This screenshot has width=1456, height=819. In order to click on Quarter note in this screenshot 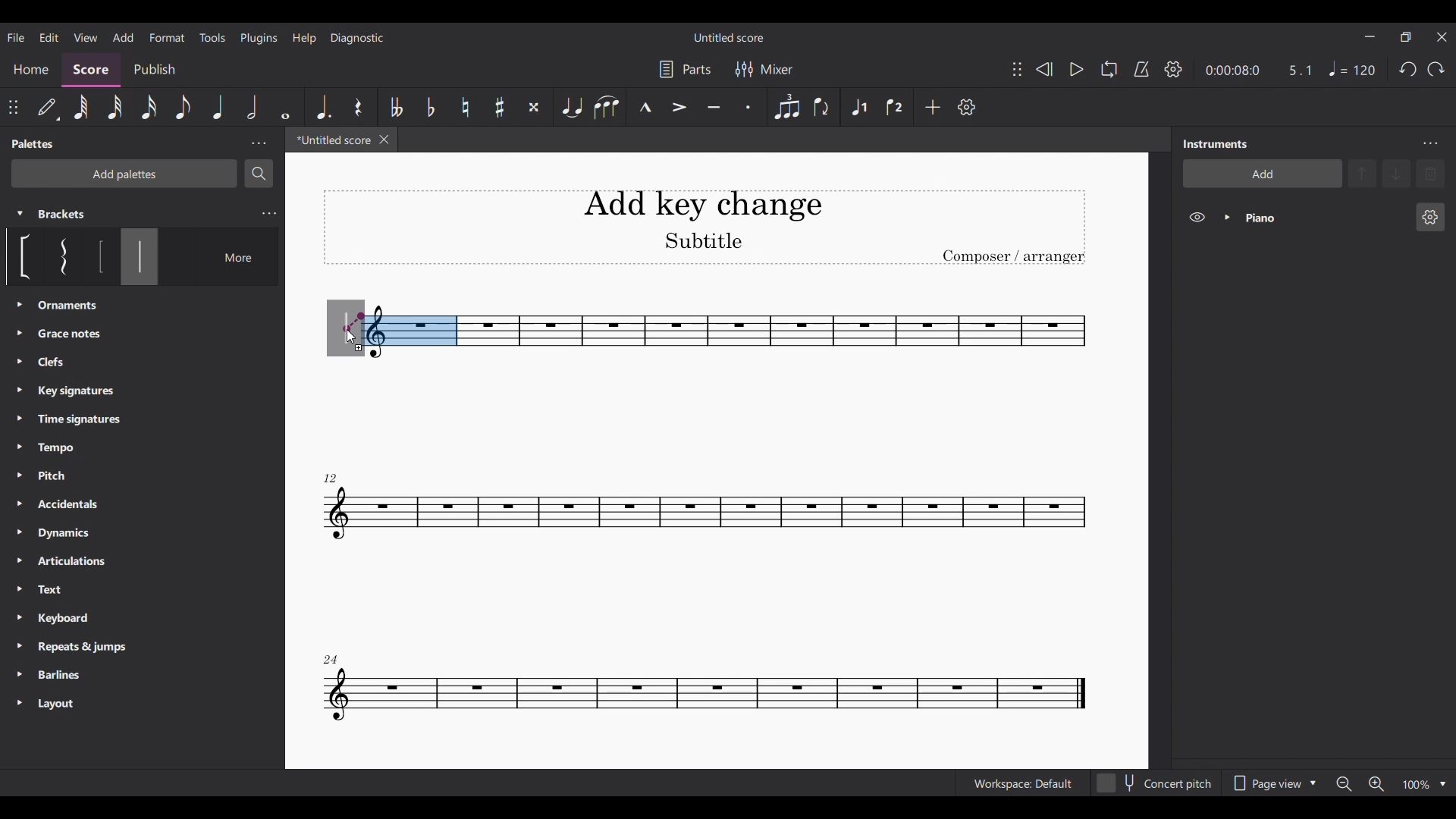, I will do `click(1351, 68)`.